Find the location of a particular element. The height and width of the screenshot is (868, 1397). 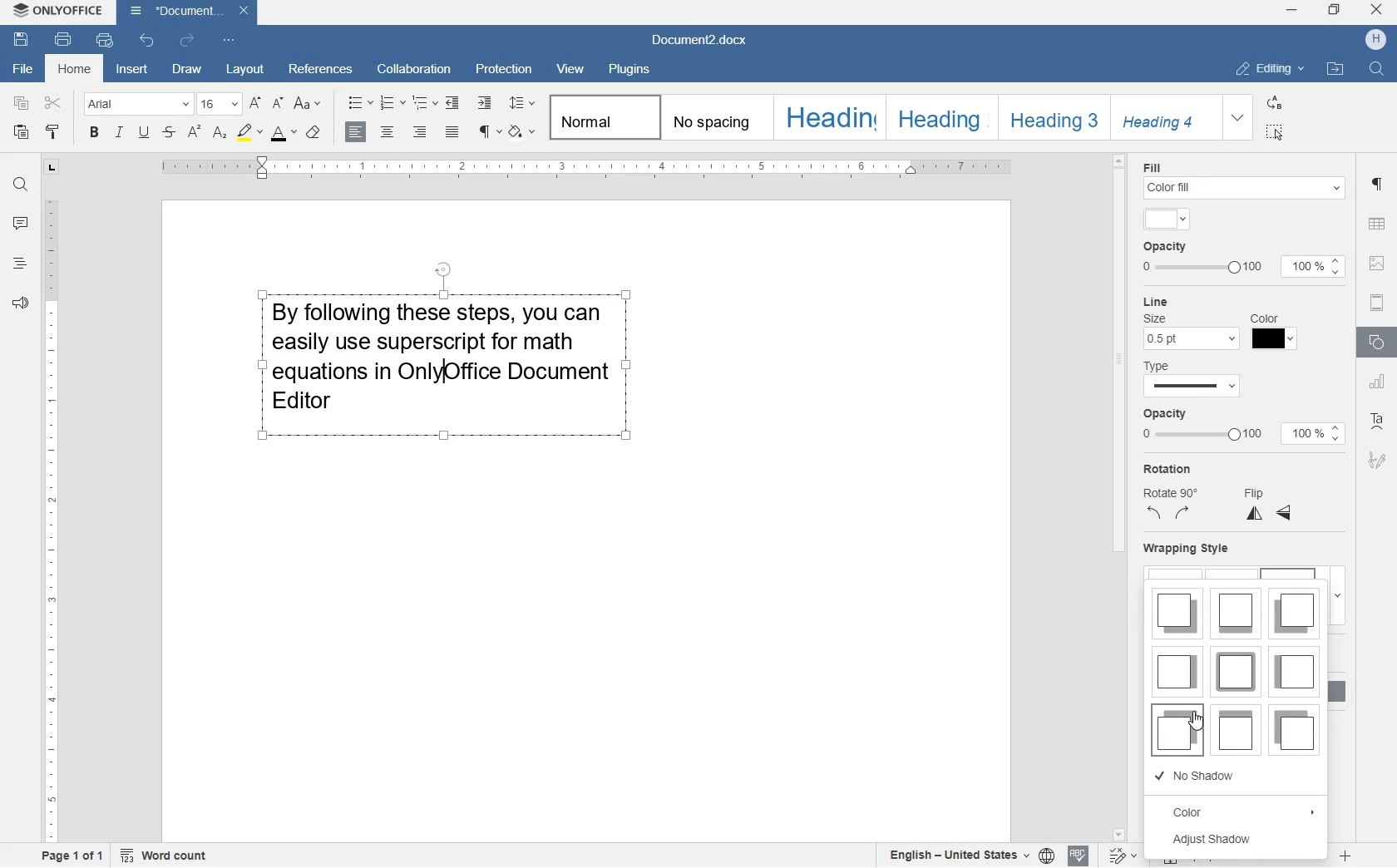

decrease indent is located at coordinates (453, 104).